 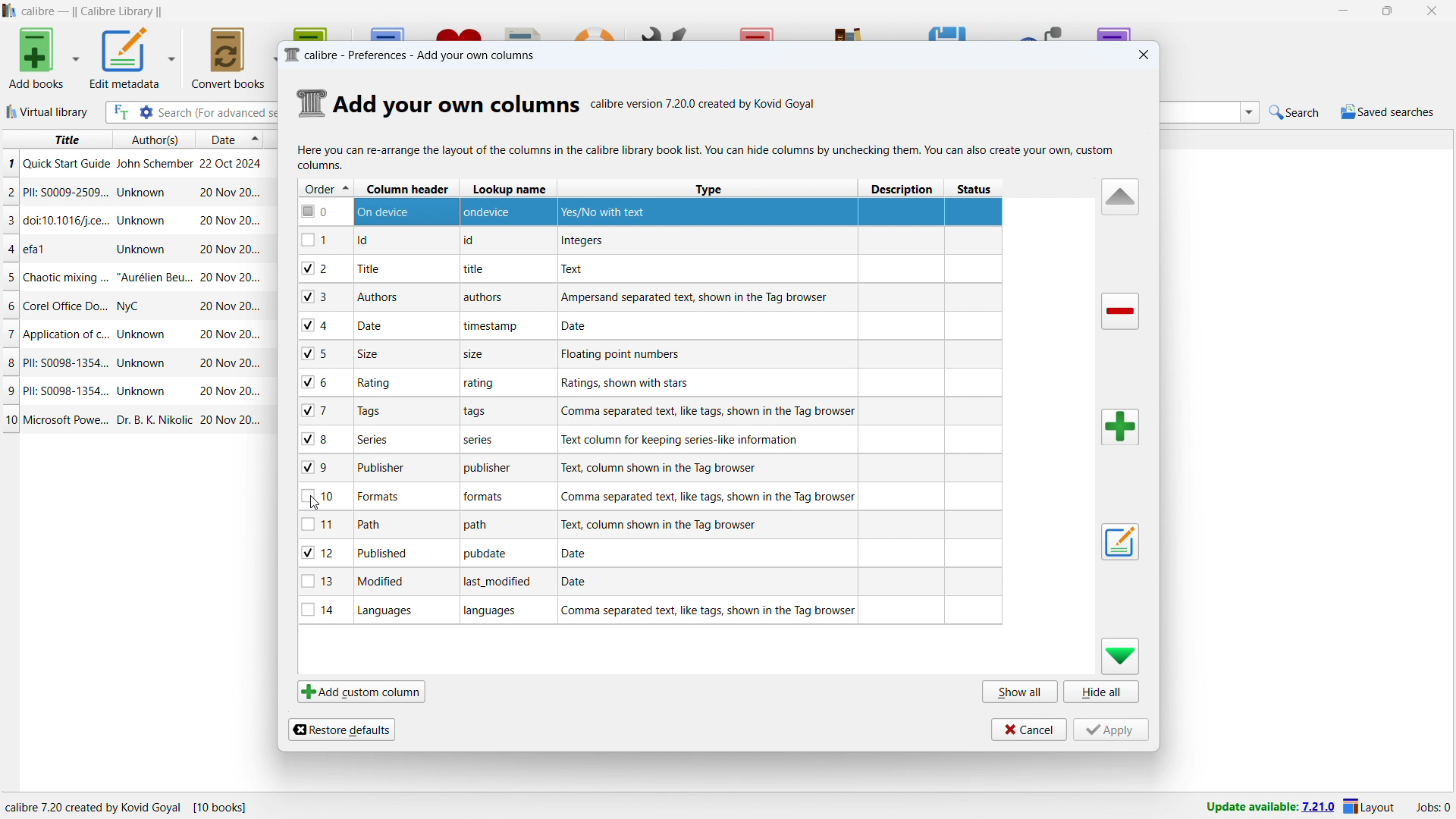 What do you see at coordinates (313, 507) in the screenshot?
I see `cursor` at bounding box center [313, 507].